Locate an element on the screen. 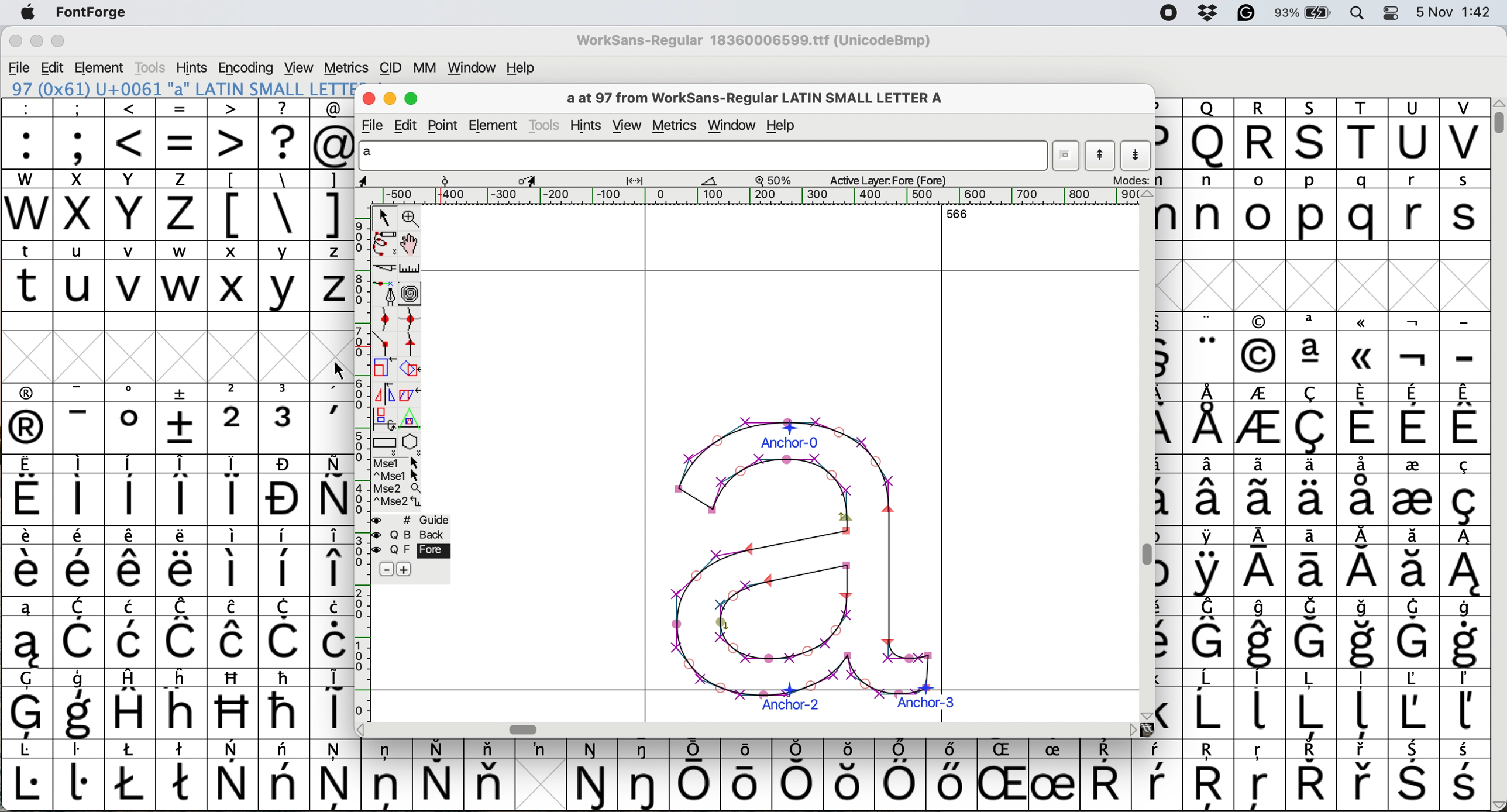 The image size is (1507, 812). symbol is located at coordinates (1413, 562).